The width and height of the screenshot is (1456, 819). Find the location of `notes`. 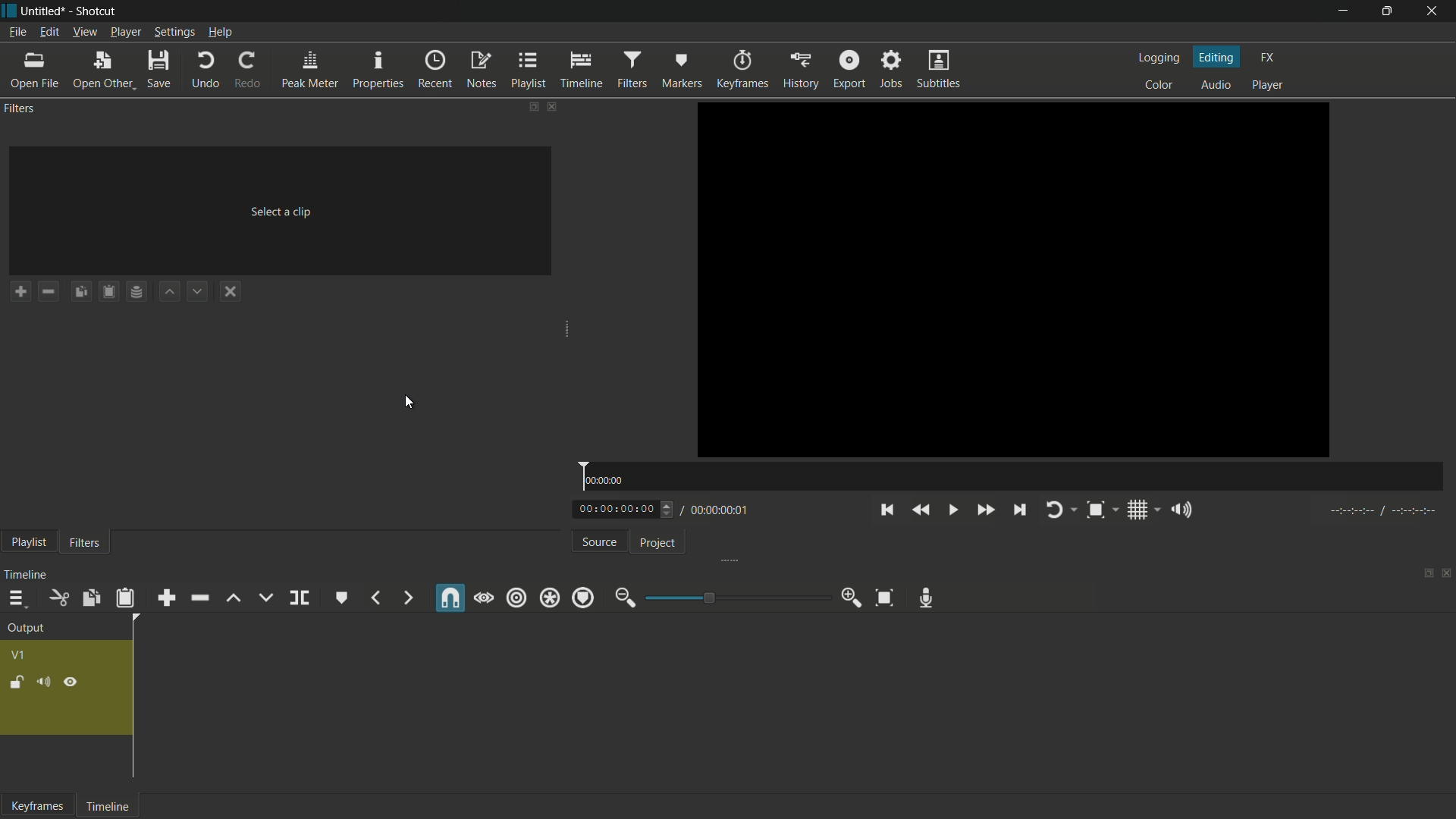

notes is located at coordinates (482, 71).